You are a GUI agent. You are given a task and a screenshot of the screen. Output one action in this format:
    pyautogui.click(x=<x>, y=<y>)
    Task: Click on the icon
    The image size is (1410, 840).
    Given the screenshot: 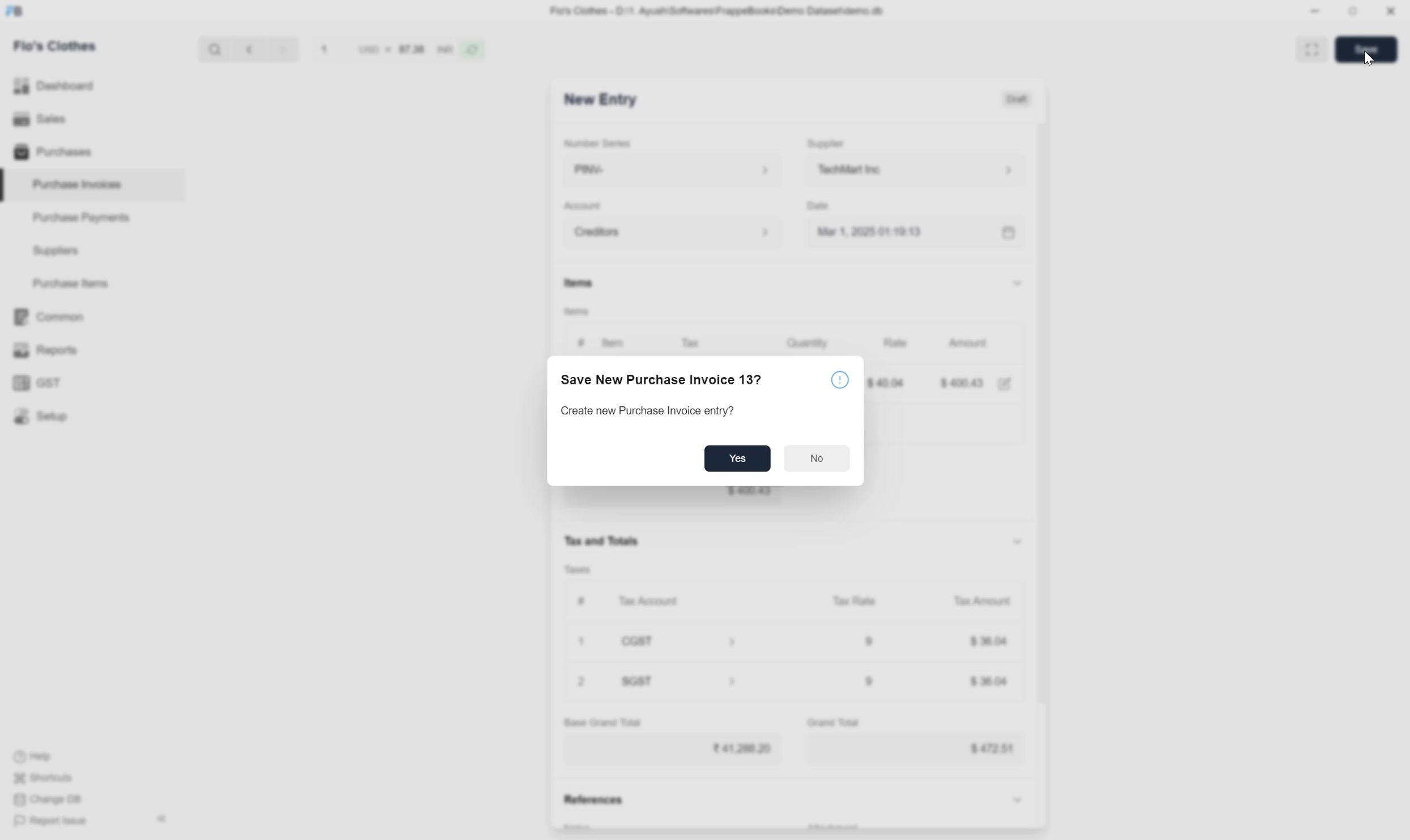 What is the action you would take?
    pyautogui.click(x=839, y=380)
    